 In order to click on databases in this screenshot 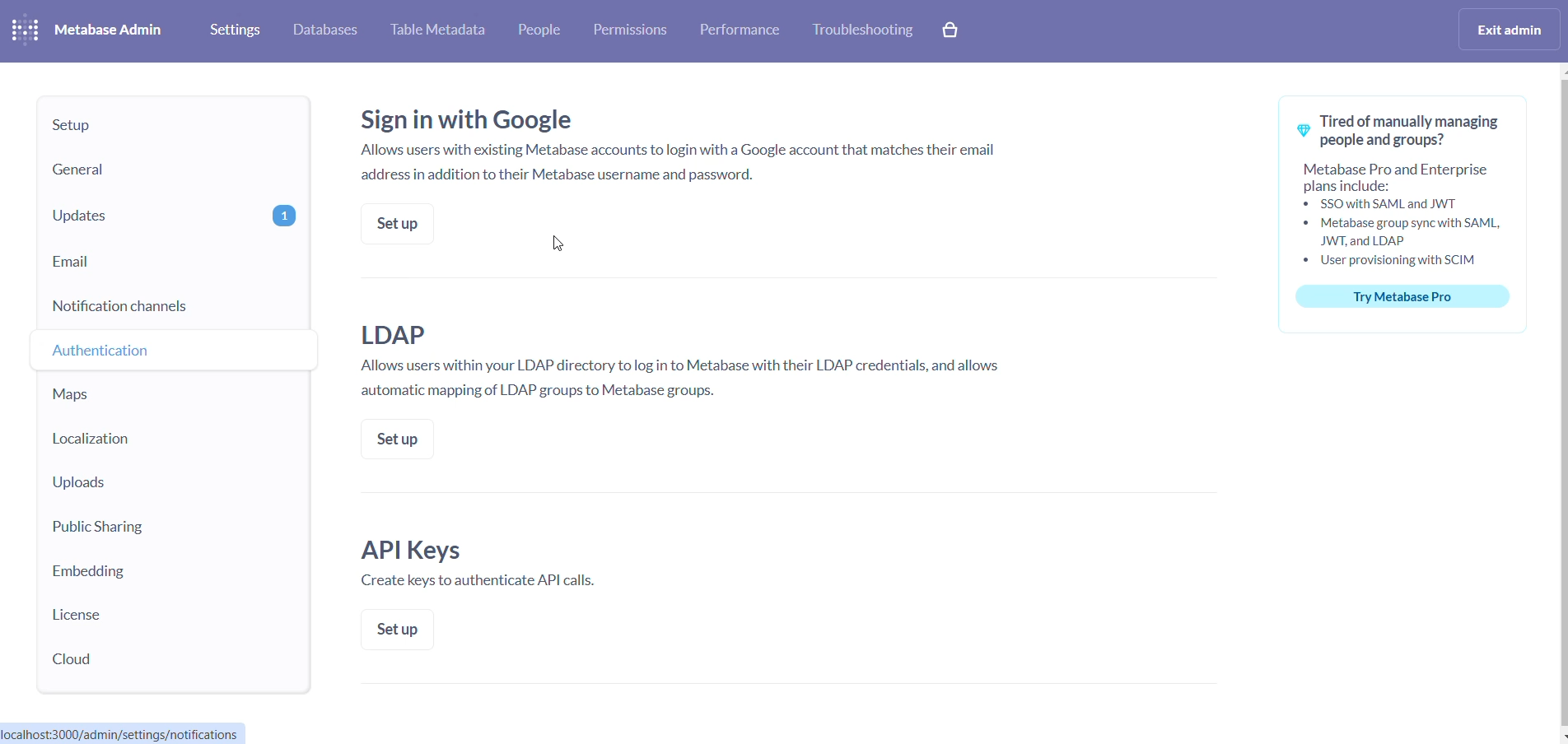, I will do `click(329, 30)`.